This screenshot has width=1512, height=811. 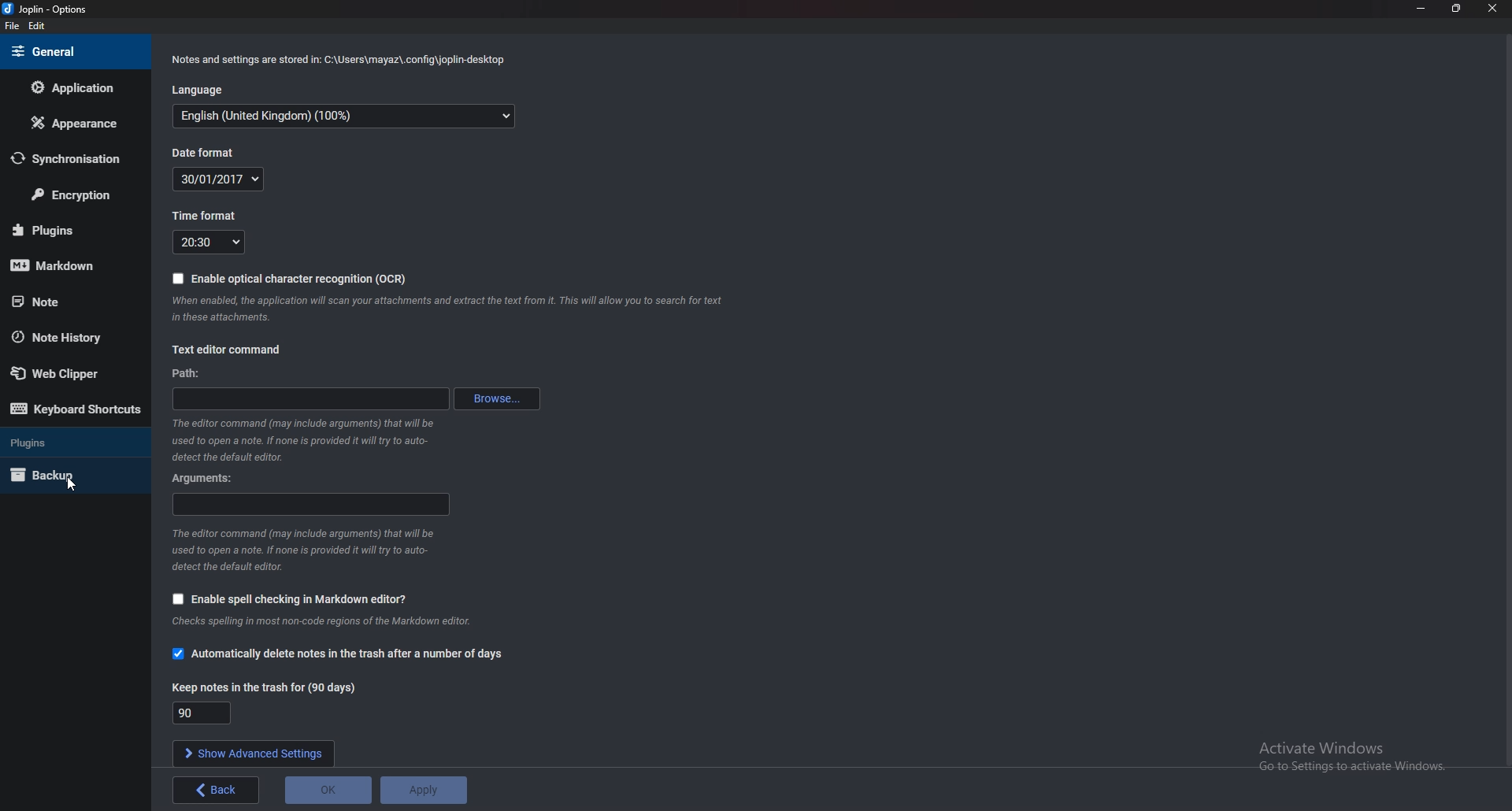 I want to click on Keep notes in the trash for, so click(x=203, y=713).